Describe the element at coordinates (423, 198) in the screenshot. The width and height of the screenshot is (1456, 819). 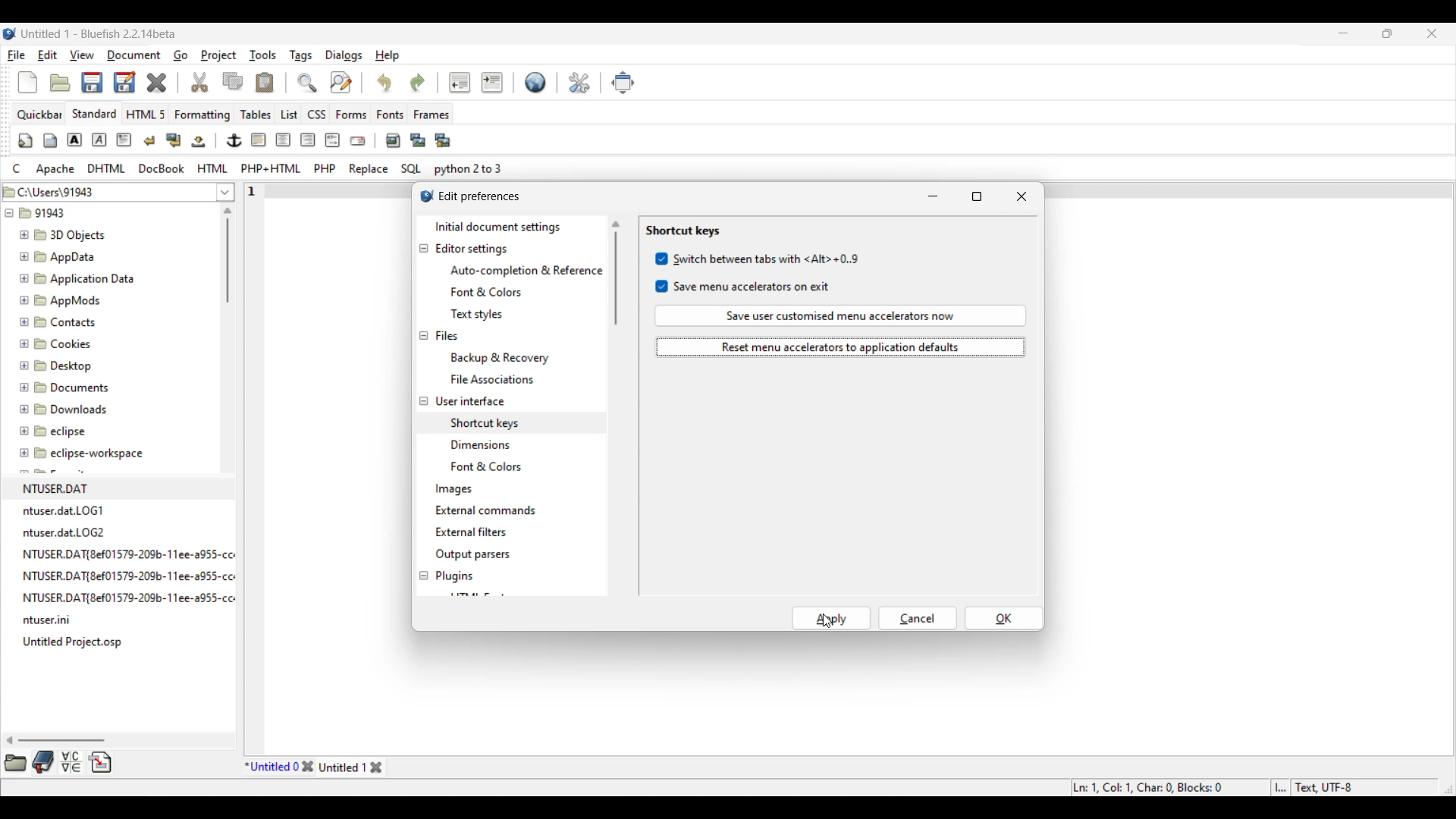
I see `logo` at that location.